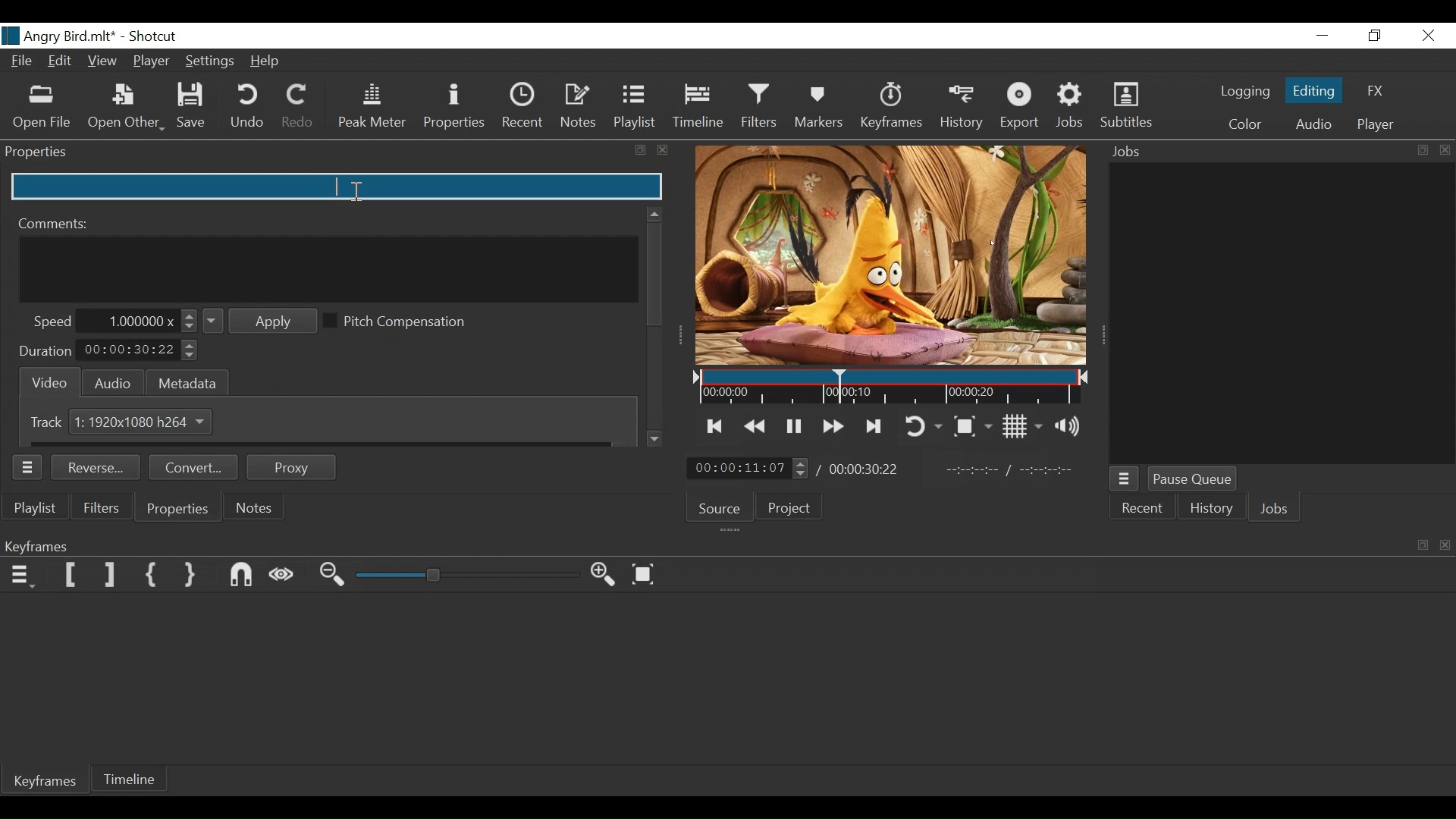 The width and height of the screenshot is (1456, 819). I want to click on Keyframe, so click(49, 784).